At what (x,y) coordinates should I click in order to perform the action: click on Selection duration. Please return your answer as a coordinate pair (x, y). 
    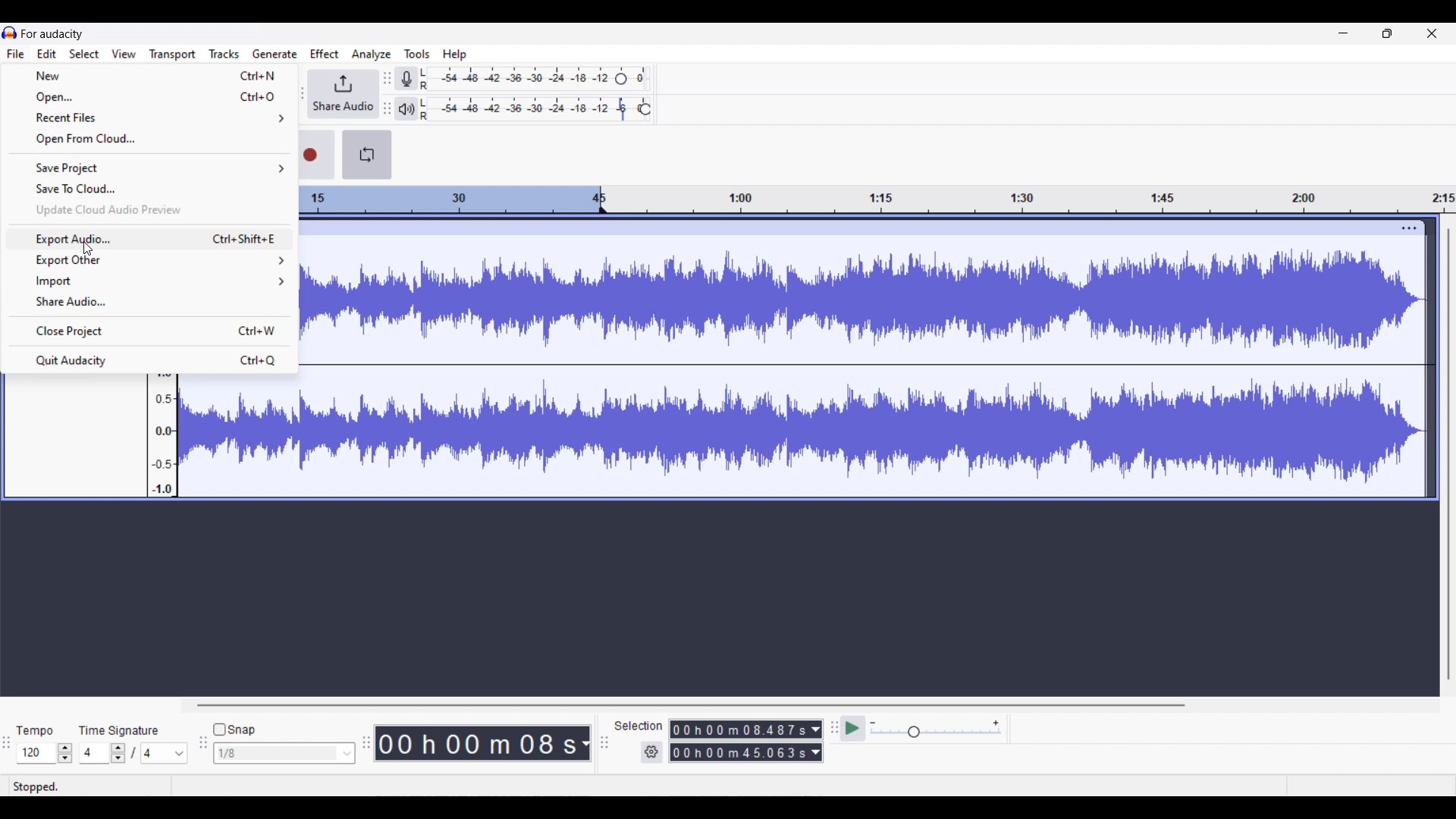
    Looking at the image, I should click on (739, 730).